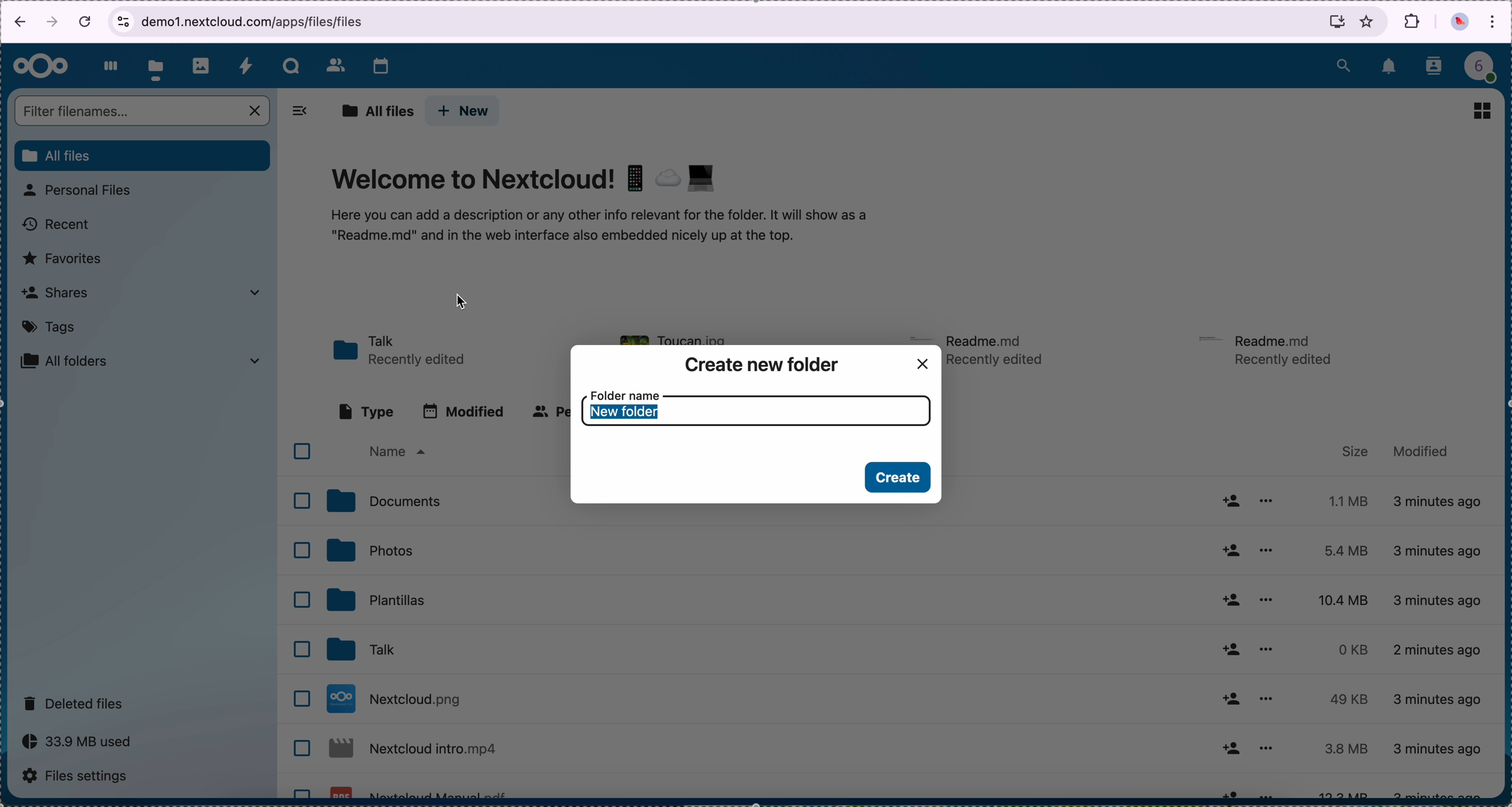 The height and width of the screenshot is (807, 1512). Describe the element at coordinates (1440, 503) in the screenshot. I see `3 minutes ago` at that location.